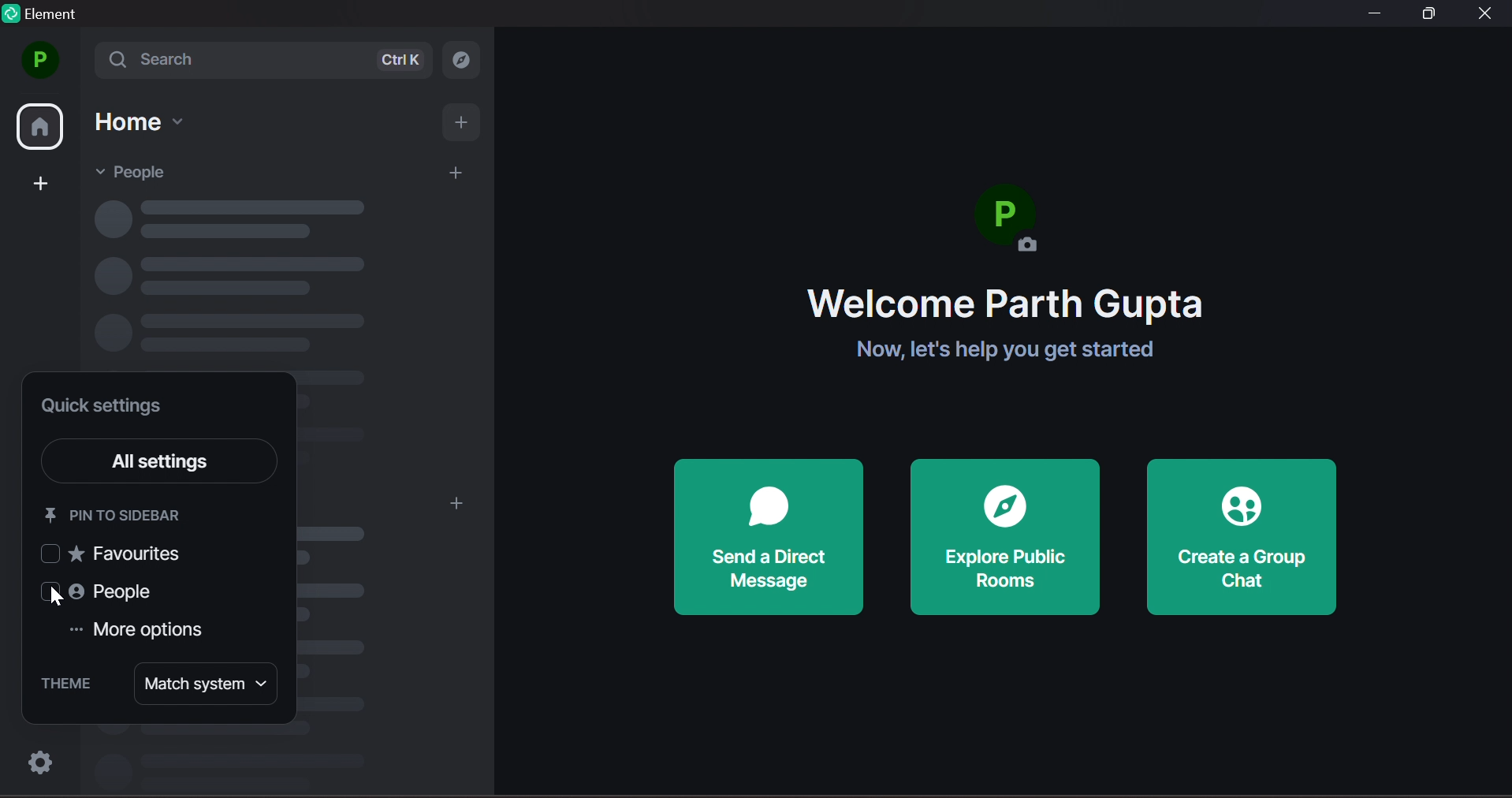 This screenshot has width=1512, height=798. What do you see at coordinates (46, 17) in the screenshot?
I see `element` at bounding box center [46, 17].